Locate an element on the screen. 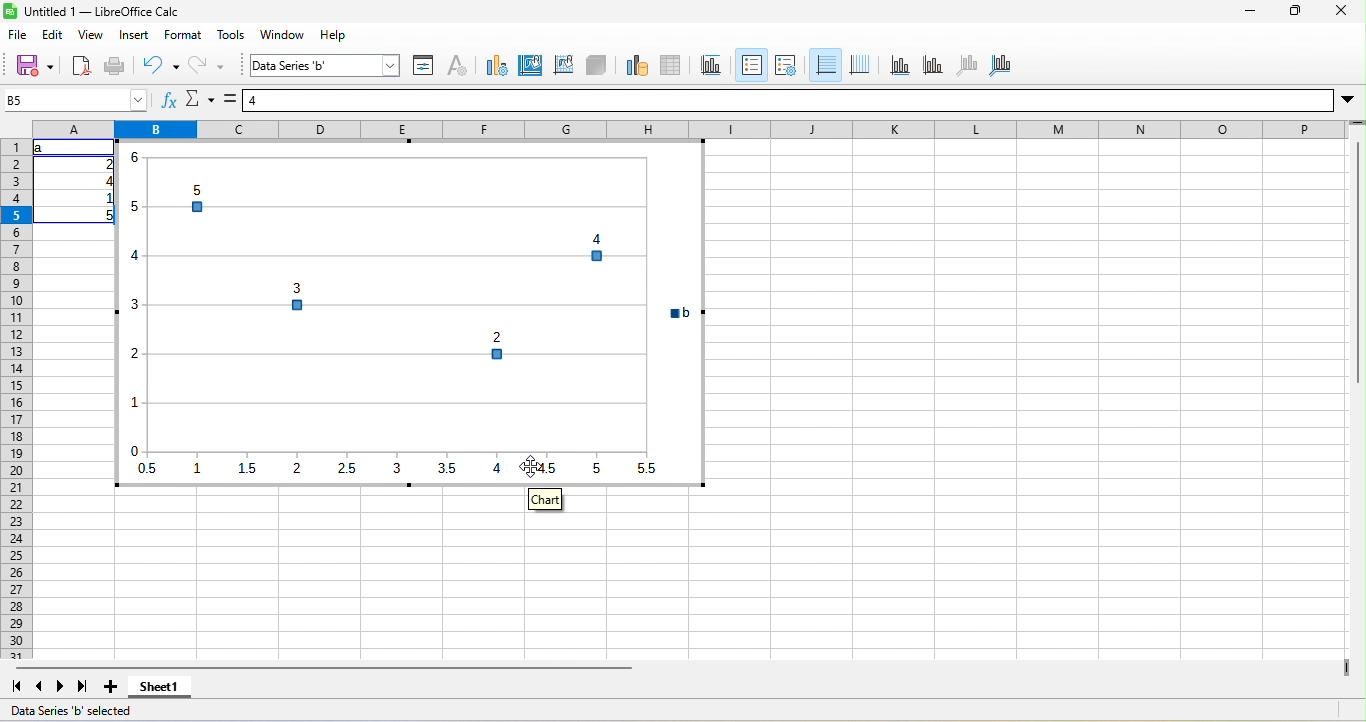  window is located at coordinates (282, 35).